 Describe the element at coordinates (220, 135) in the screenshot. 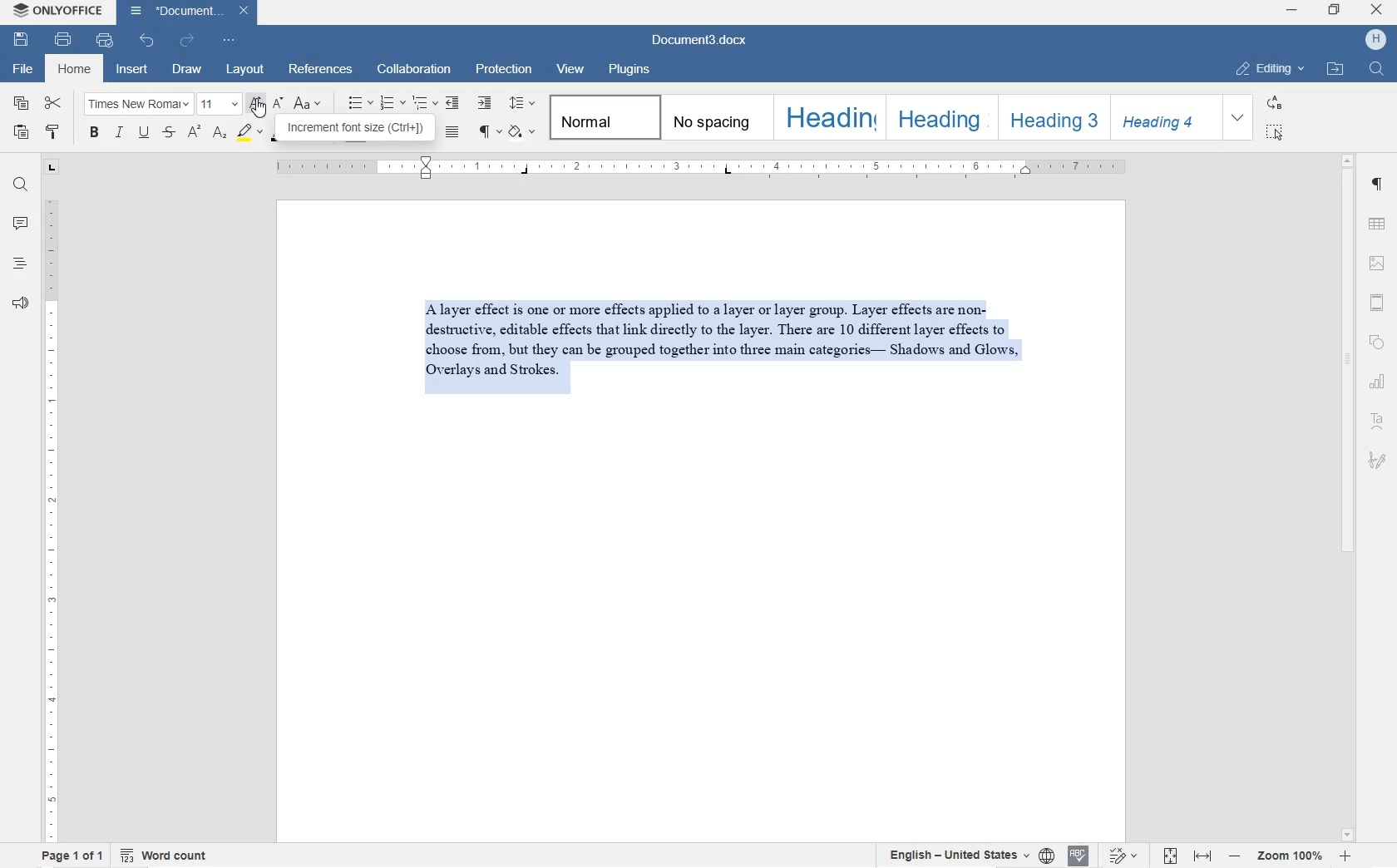

I see `SUBSCRIPT` at that location.